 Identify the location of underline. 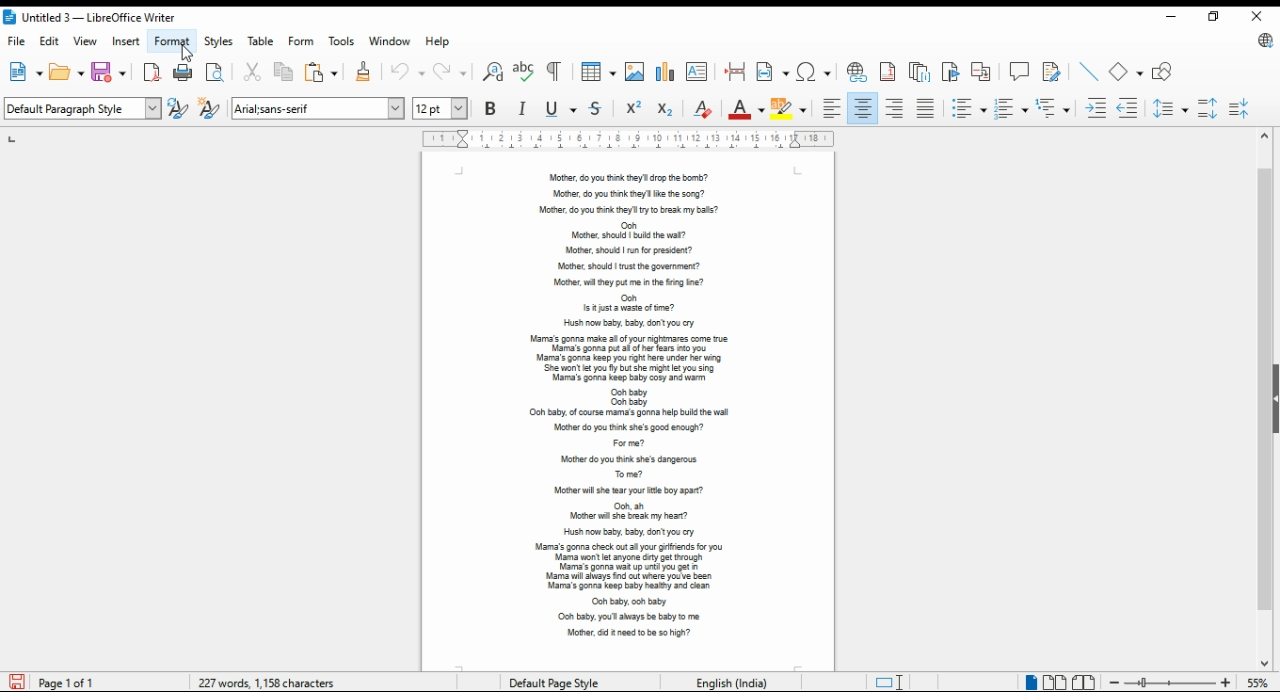
(558, 108).